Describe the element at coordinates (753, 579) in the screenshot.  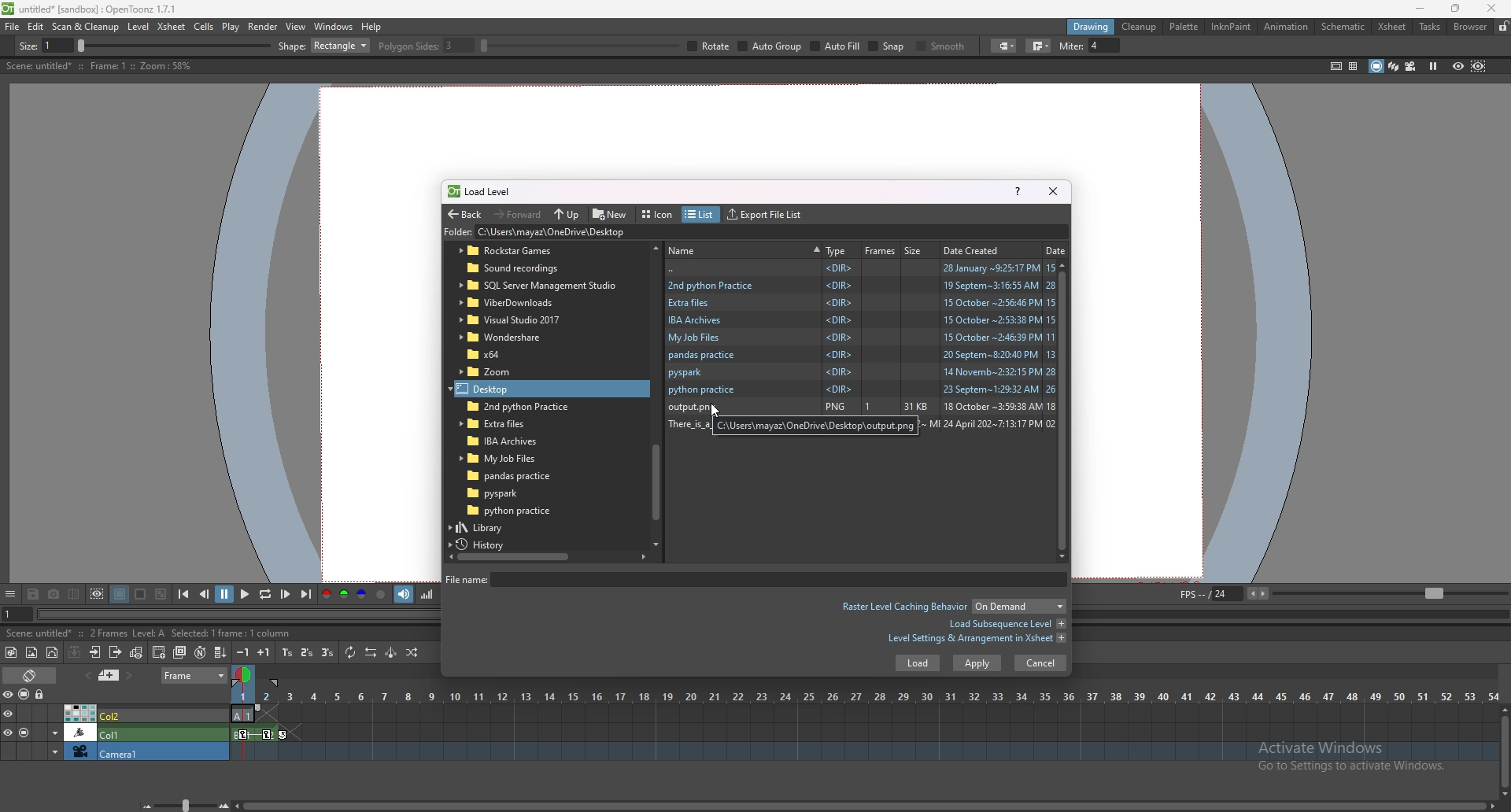
I see `file name` at that location.